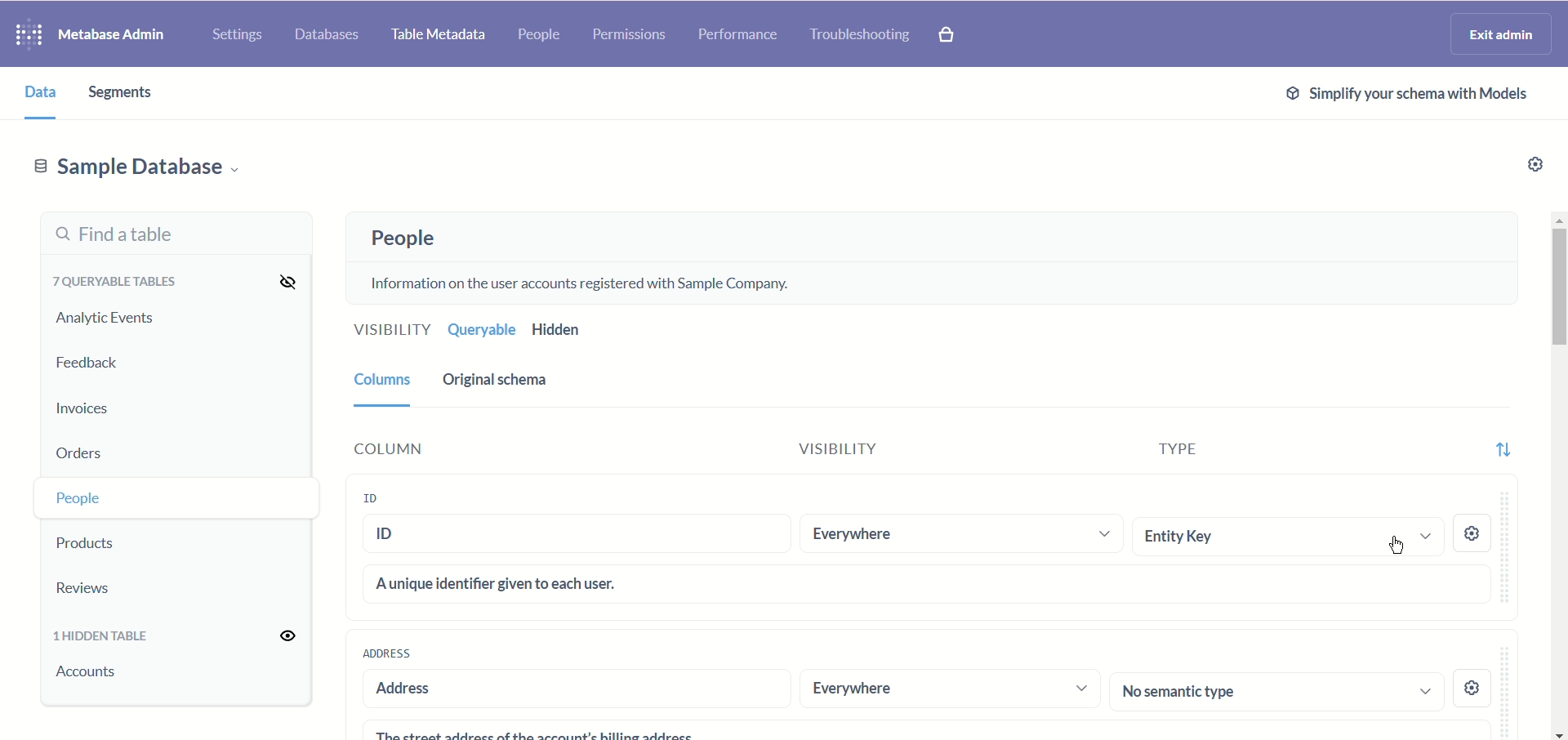 This screenshot has width=1568, height=740. What do you see at coordinates (589, 281) in the screenshot?
I see `information on the user accounts registered with sample company` at bounding box center [589, 281].